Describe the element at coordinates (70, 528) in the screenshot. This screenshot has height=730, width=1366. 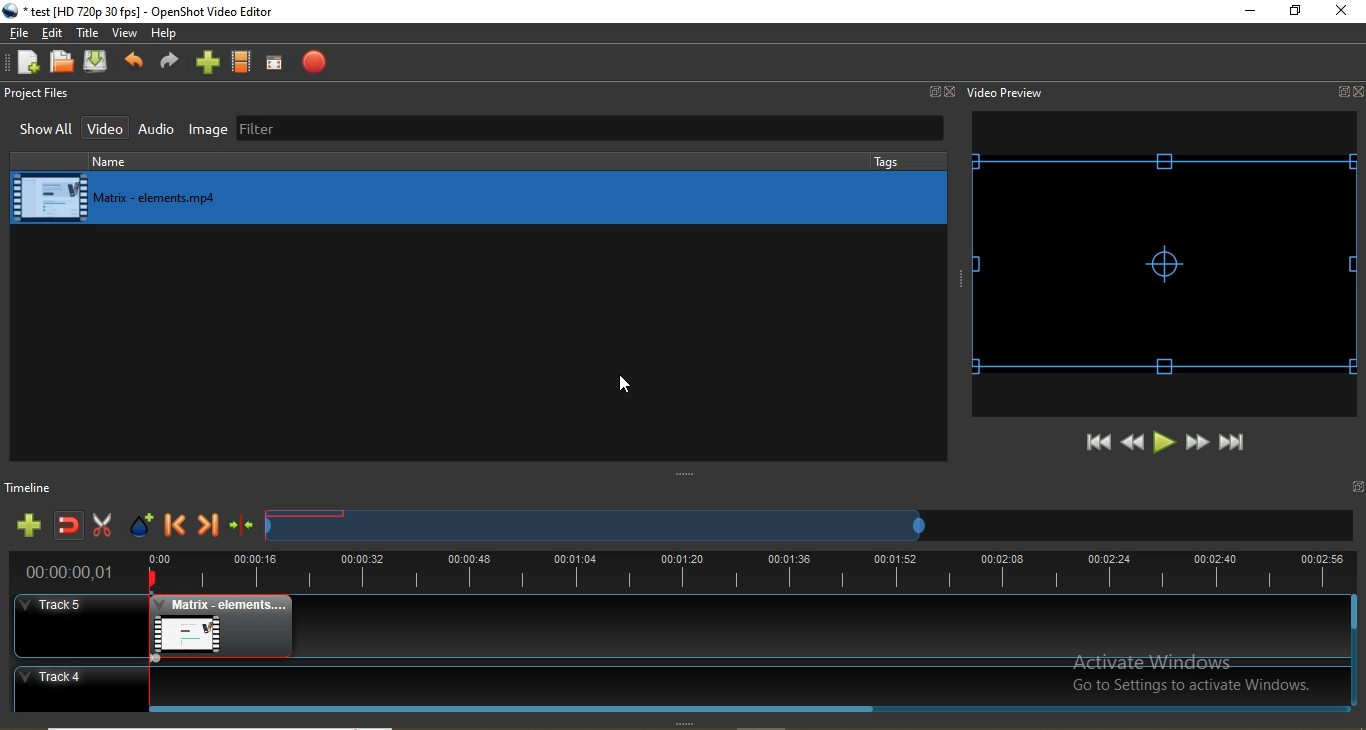
I see `Disable snapping` at that location.